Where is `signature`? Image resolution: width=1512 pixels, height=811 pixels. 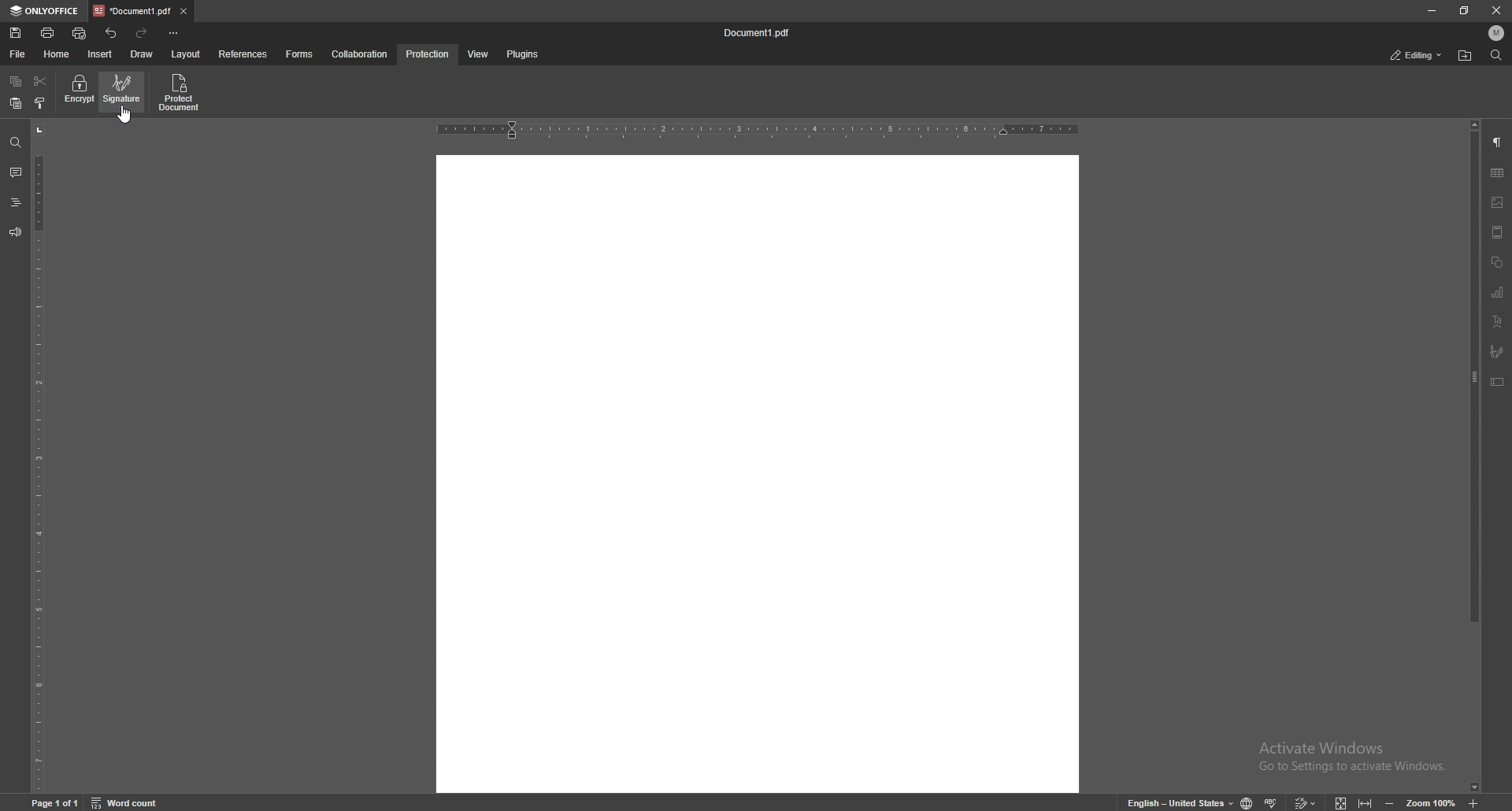
signature is located at coordinates (1497, 352).